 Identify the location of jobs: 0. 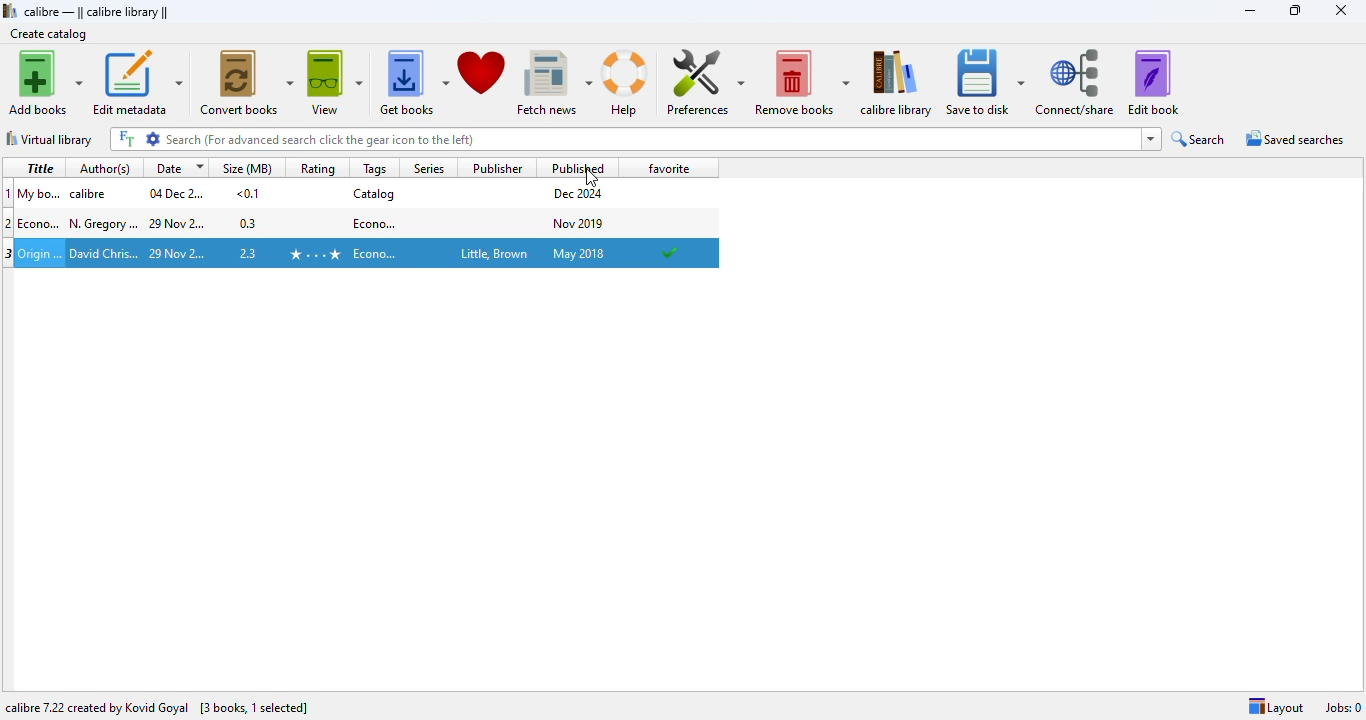
(1343, 708).